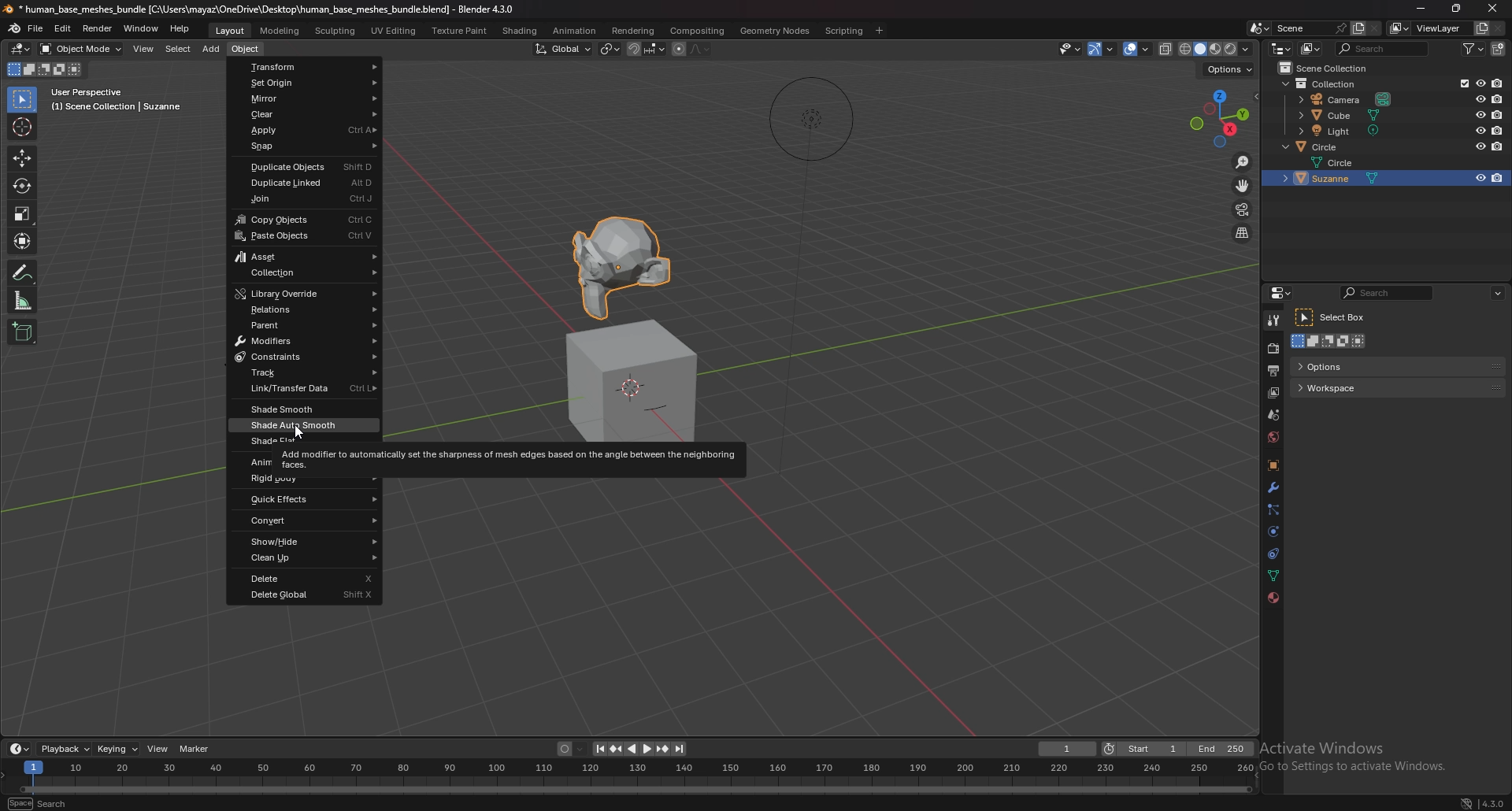 The width and height of the screenshot is (1512, 811). Describe the element at coordinates (1340, 131) in the screenshot. I see `light` at that location.